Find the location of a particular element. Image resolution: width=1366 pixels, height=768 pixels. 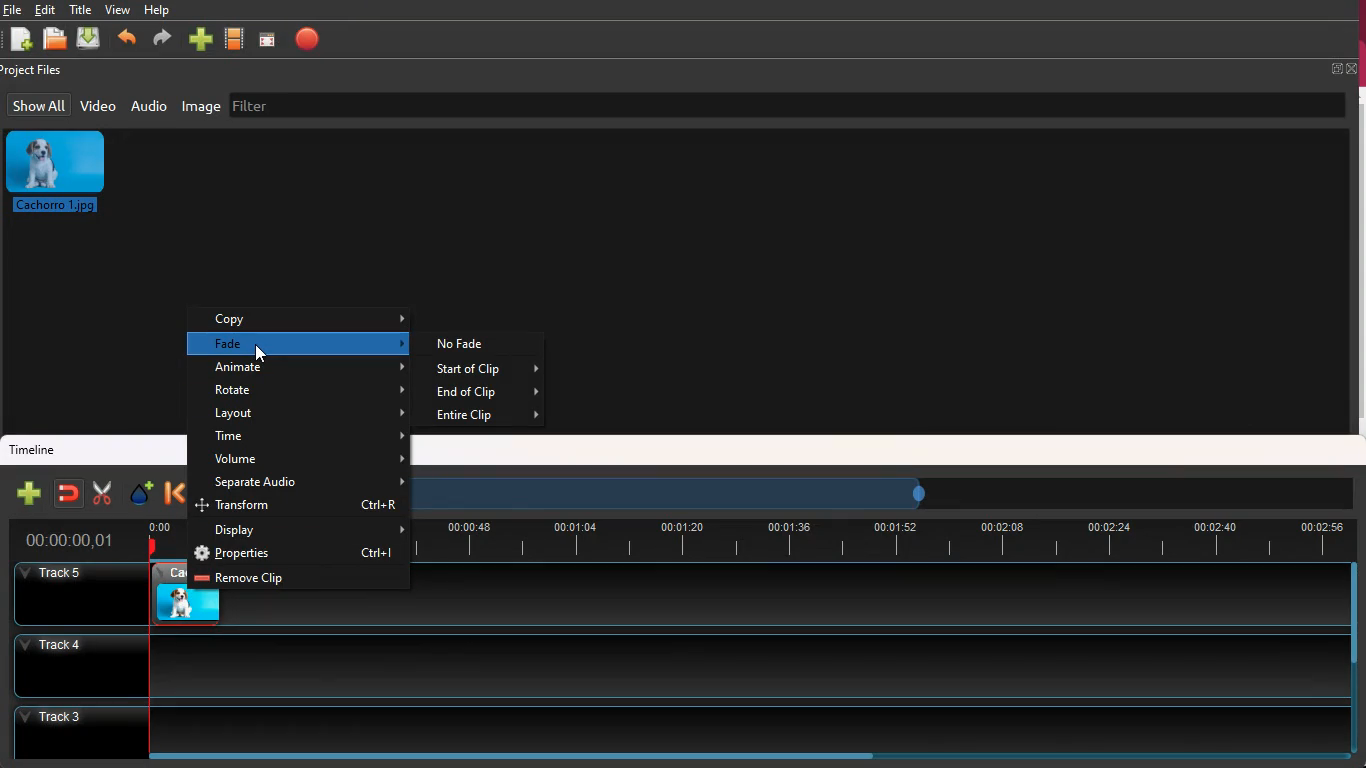

copy is located at coordinates (310, 320).